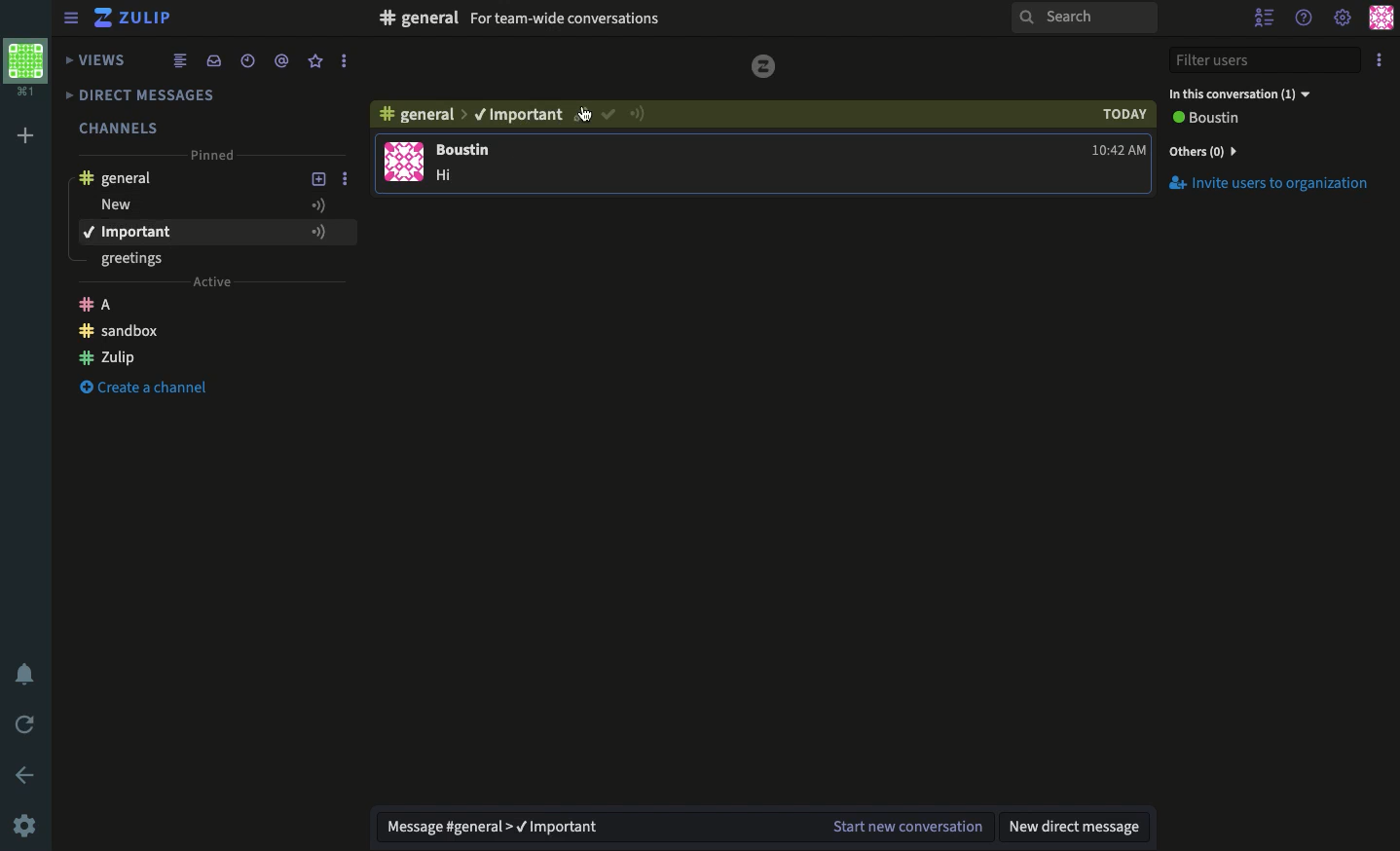 The height and width of the screenshot is (851, 1400). What do you see at coordinates (1378, 60) in the screenshot?
I see `Option ` at bounding box center [1378, 60].